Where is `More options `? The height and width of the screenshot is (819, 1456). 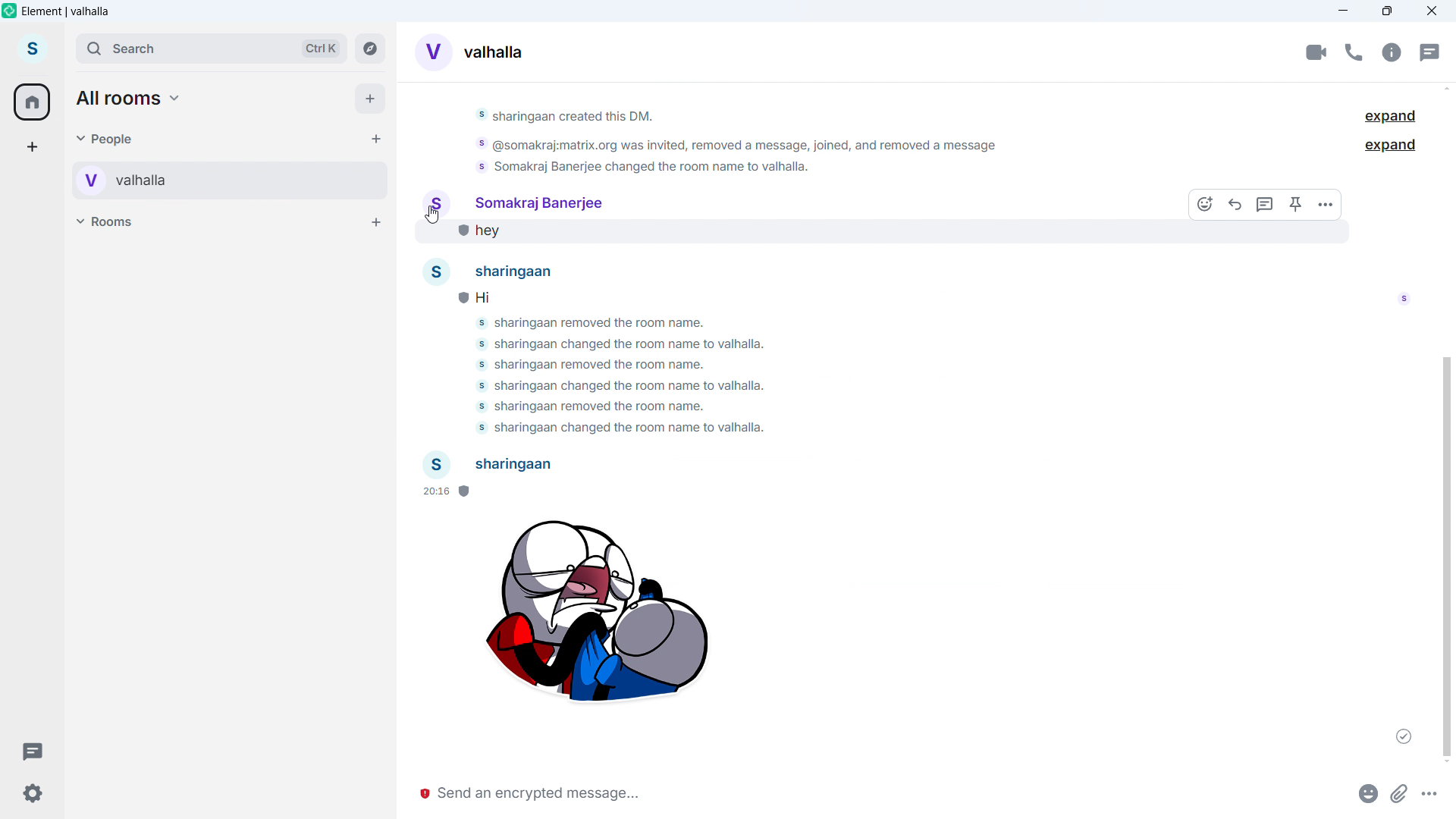
More options  is located at coordinates (1326, 204).